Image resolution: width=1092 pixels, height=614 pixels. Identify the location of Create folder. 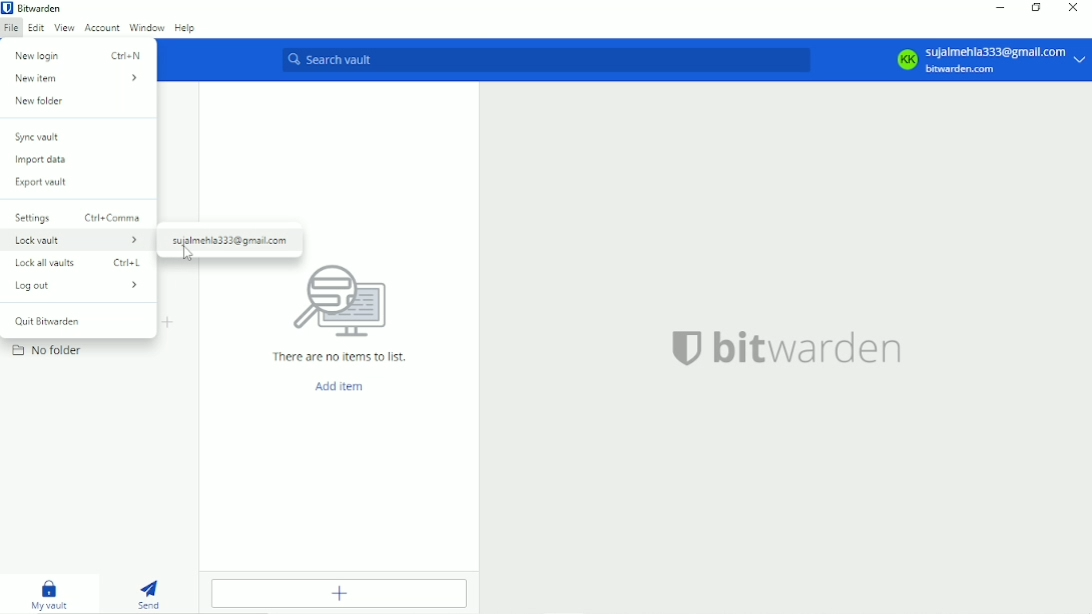
(169, 322).